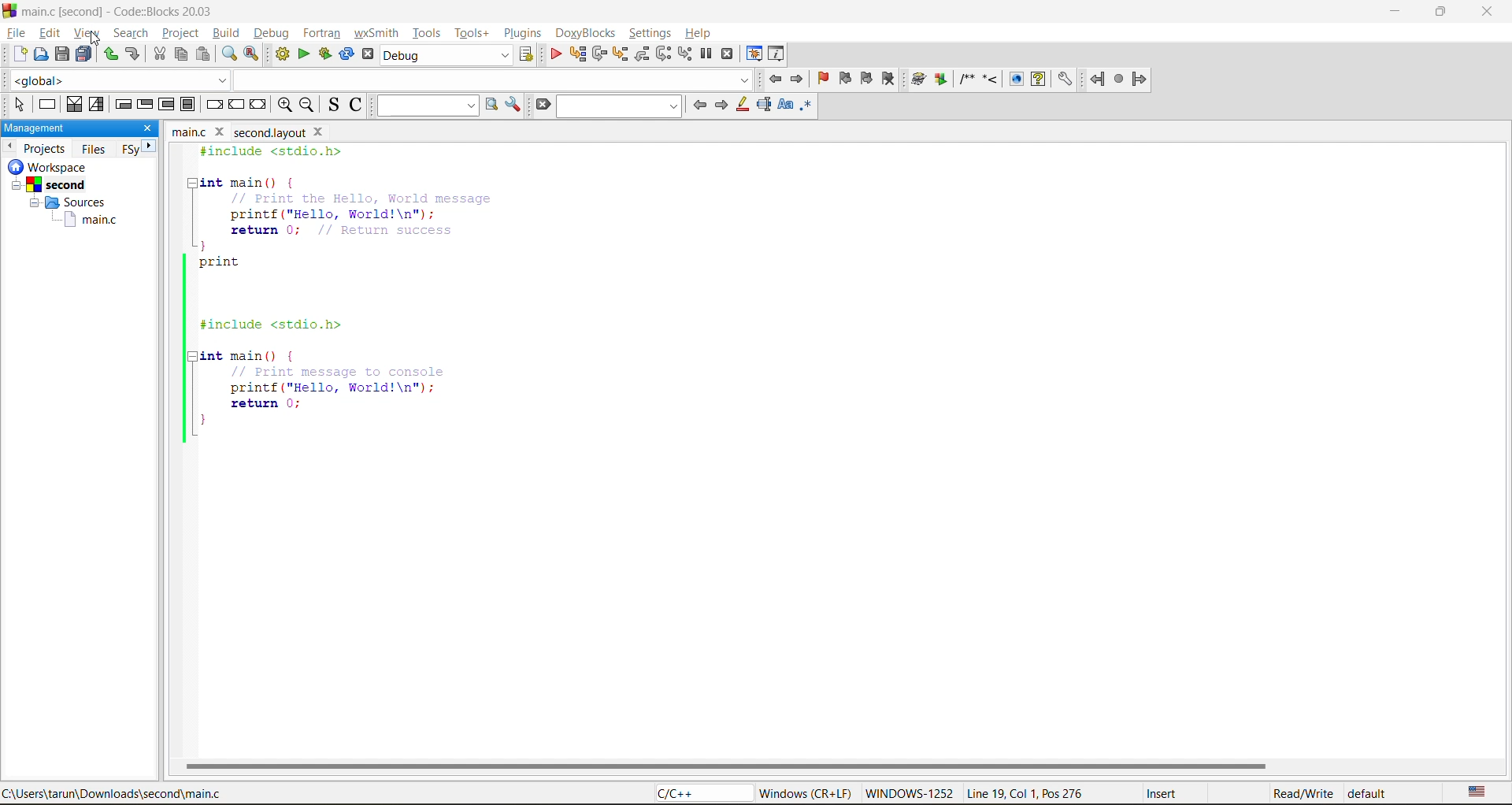 Image resolution: width=1512 pixels, height=805 pixels. What do you see at coordinates (730, 53) in the screenshot?
I see `stop debugger` at bounding box center [730, 53].